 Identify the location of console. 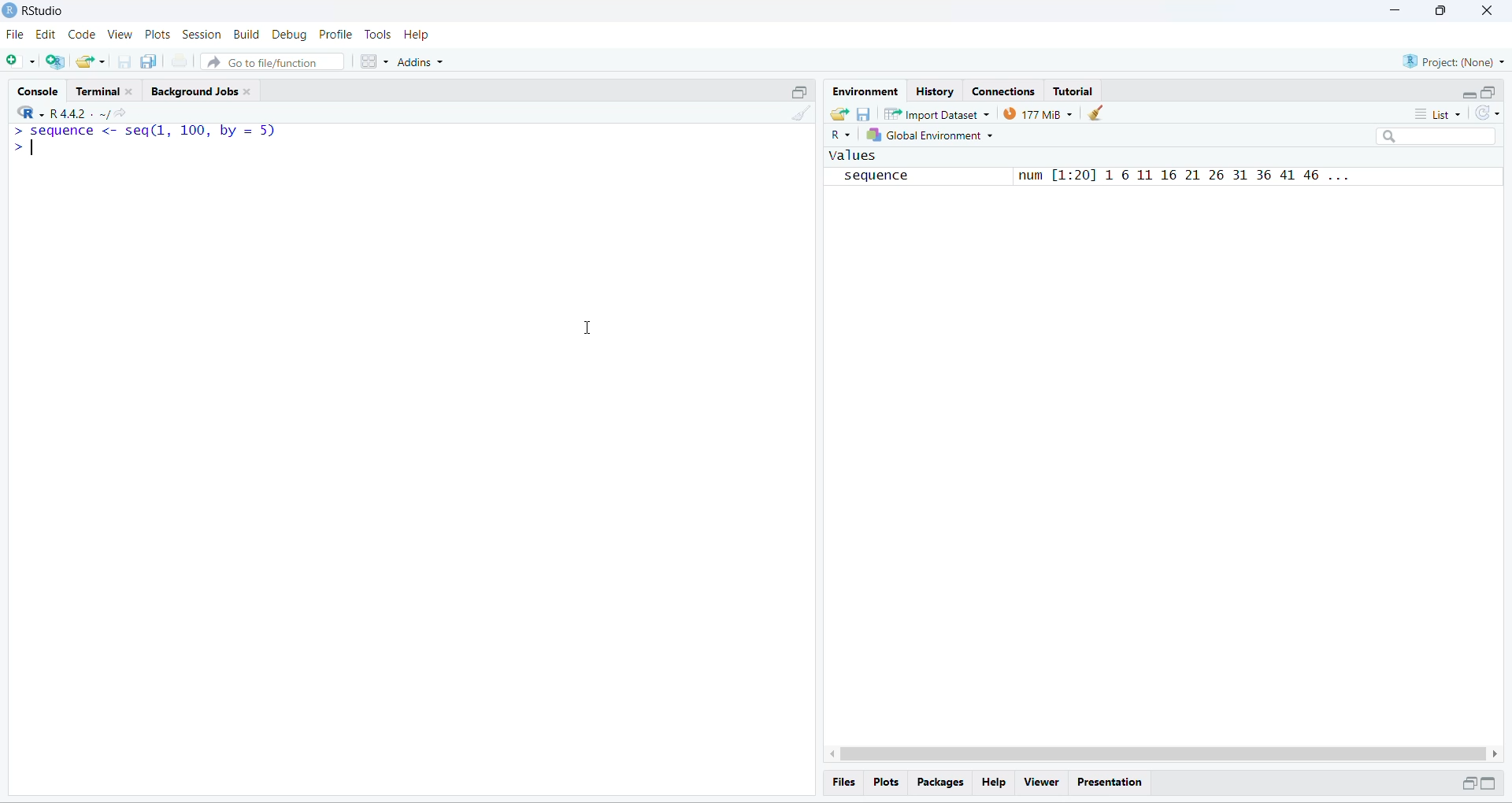
(41, 92).